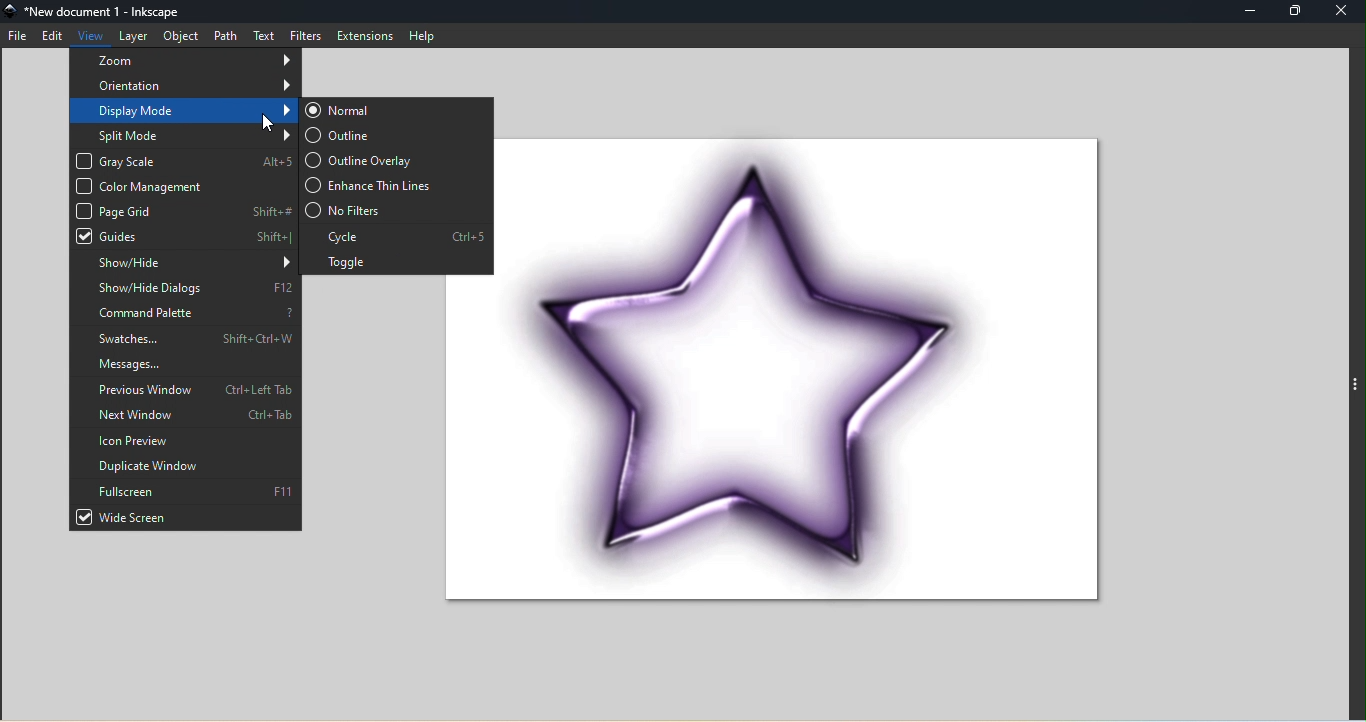  Describe the element at coordinates (132, 34) in the screenshot. I see `Layer` at that location.